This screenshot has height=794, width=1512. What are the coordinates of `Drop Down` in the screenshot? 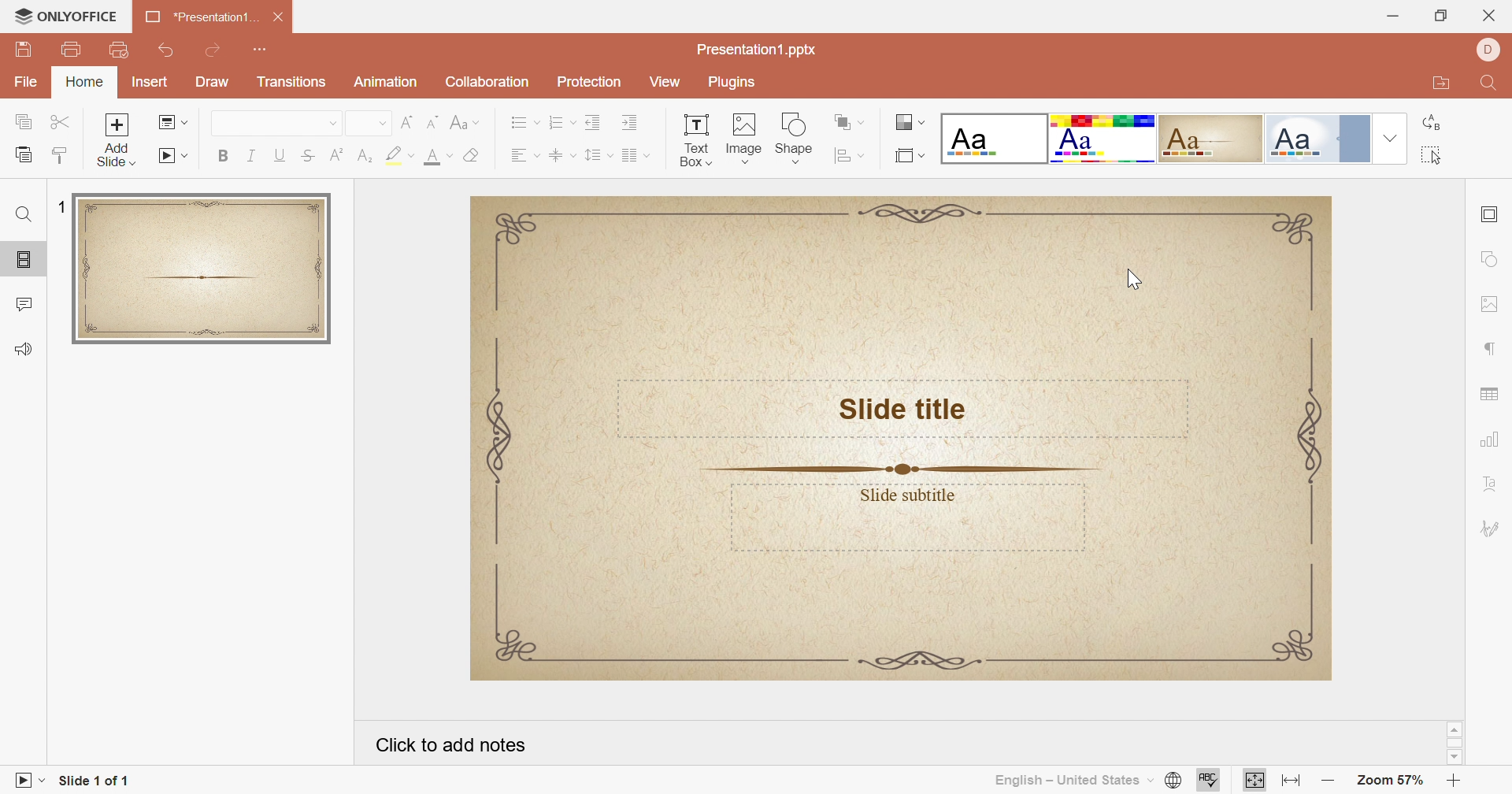 It's located at (477, 123).